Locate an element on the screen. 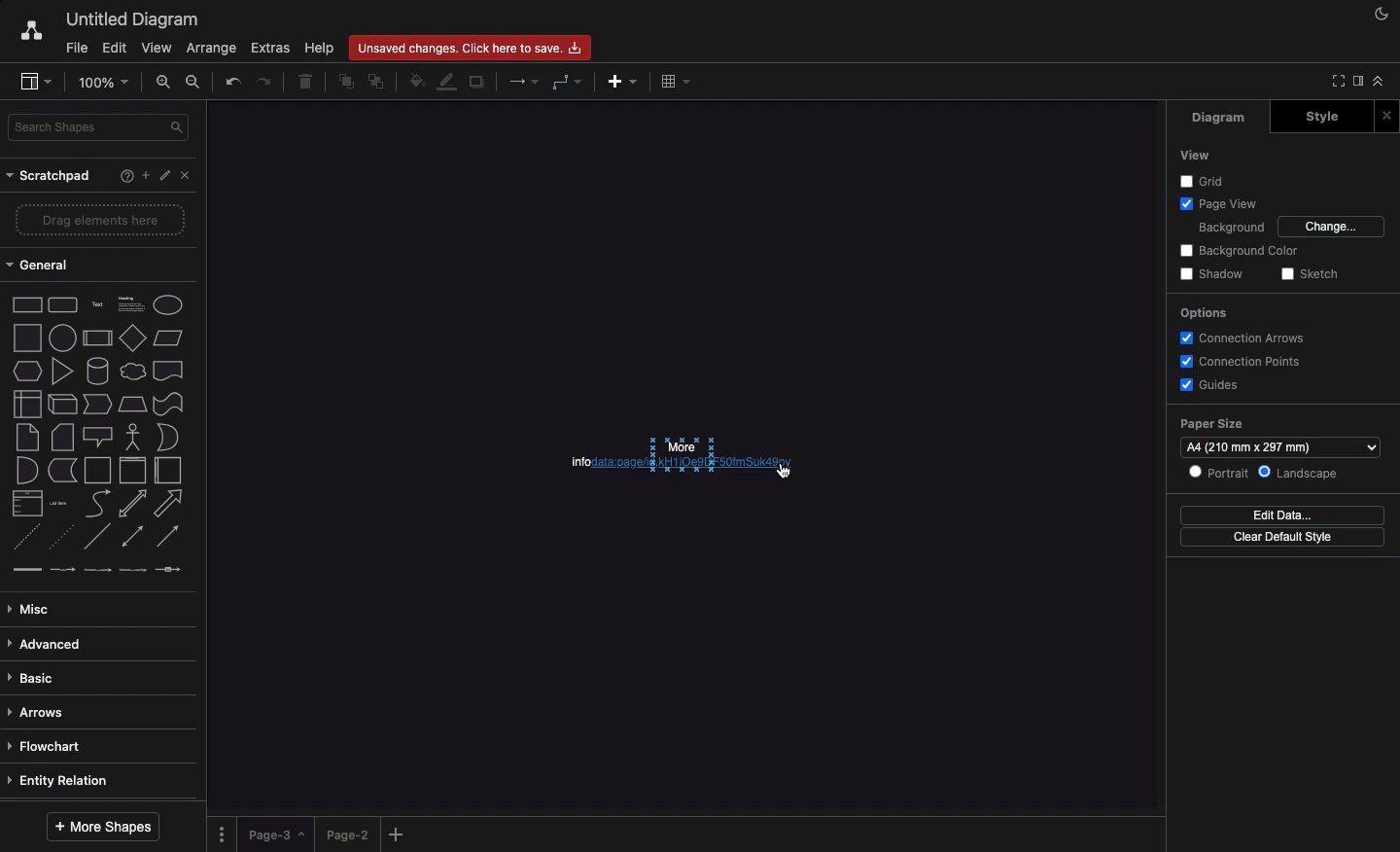  View is located at coordinates (155, 45).